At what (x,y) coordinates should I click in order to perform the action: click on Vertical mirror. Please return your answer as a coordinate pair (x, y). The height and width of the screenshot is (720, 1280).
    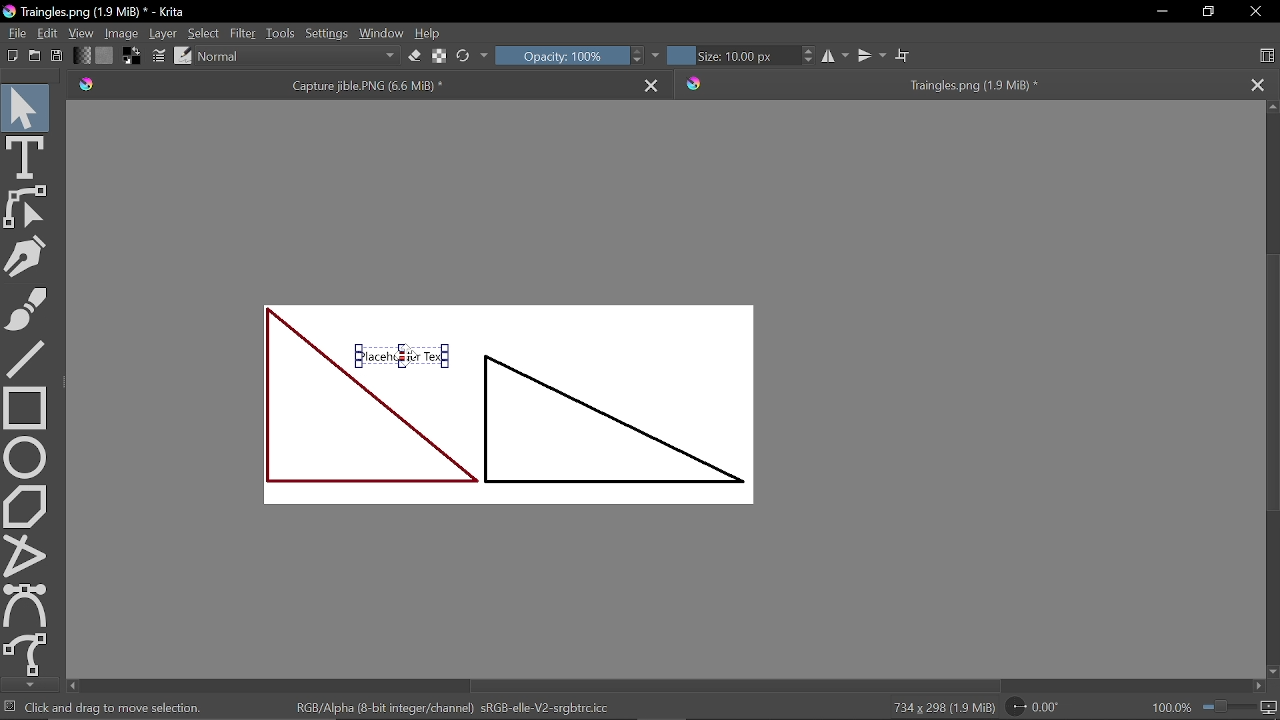
    Looking at the image, I should click on (874, 53).